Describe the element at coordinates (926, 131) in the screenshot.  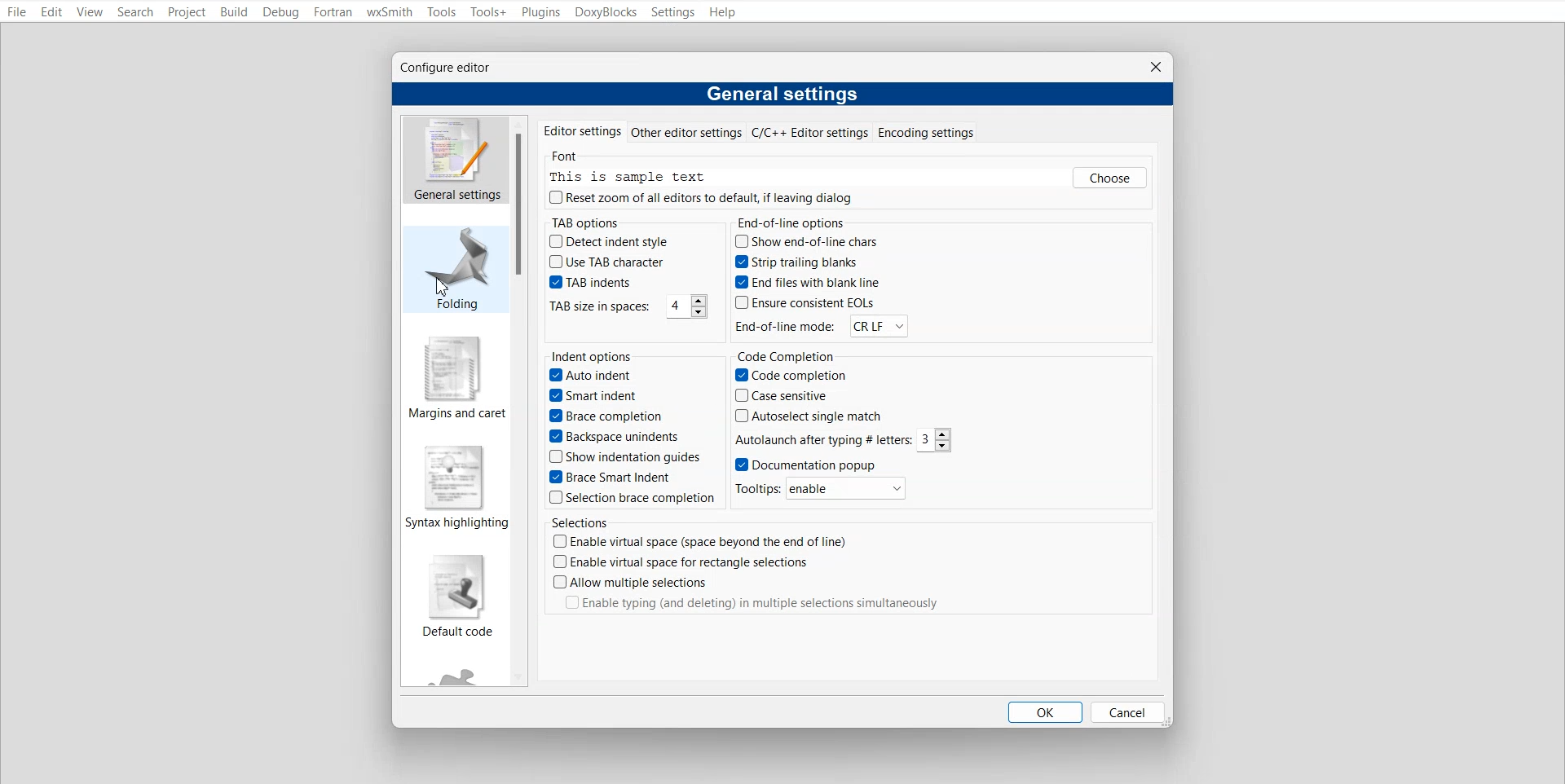
I see `Encoding settings` at that location.